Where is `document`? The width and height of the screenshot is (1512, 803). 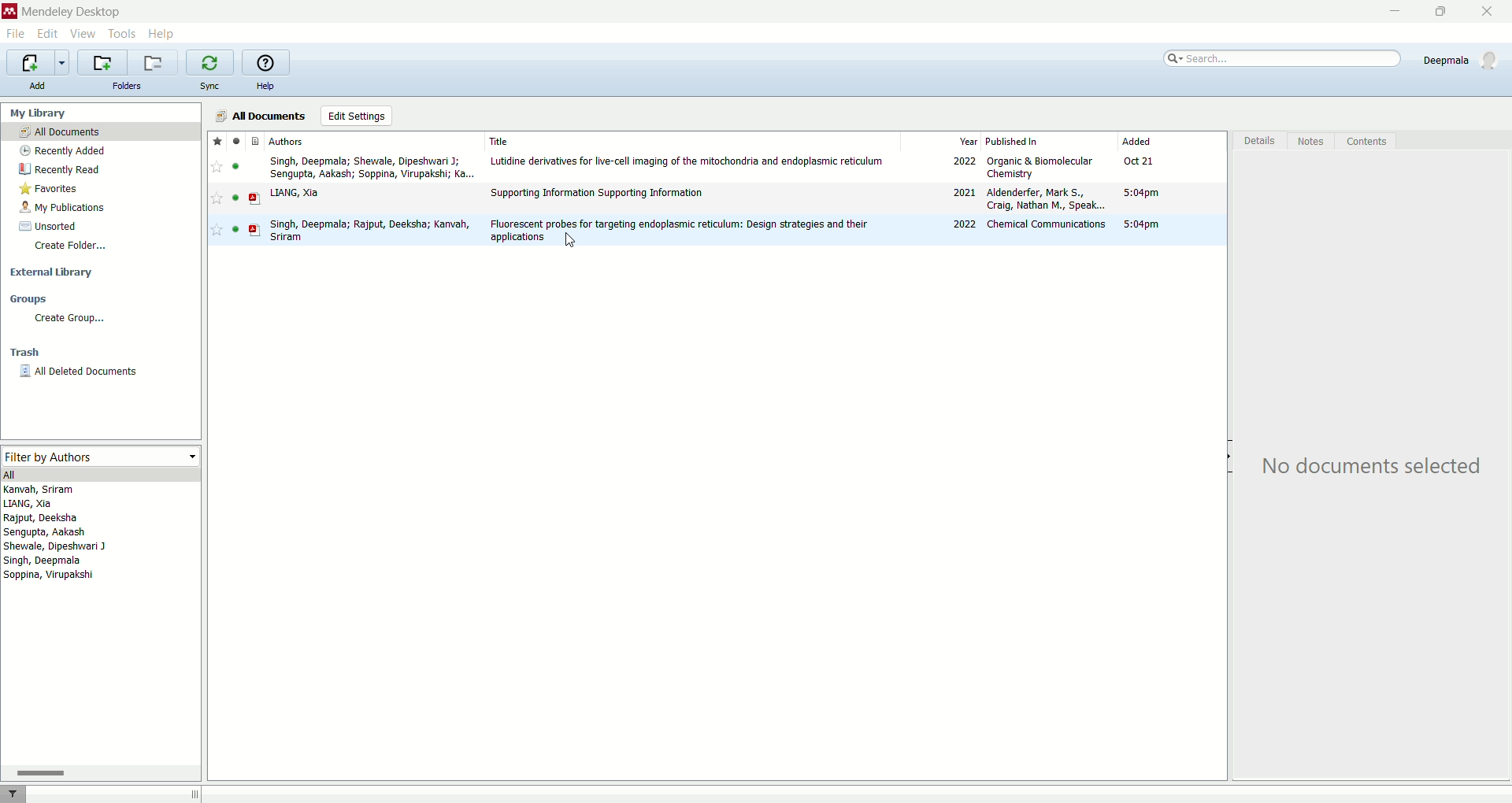 document is located at coordinates (257, 229).